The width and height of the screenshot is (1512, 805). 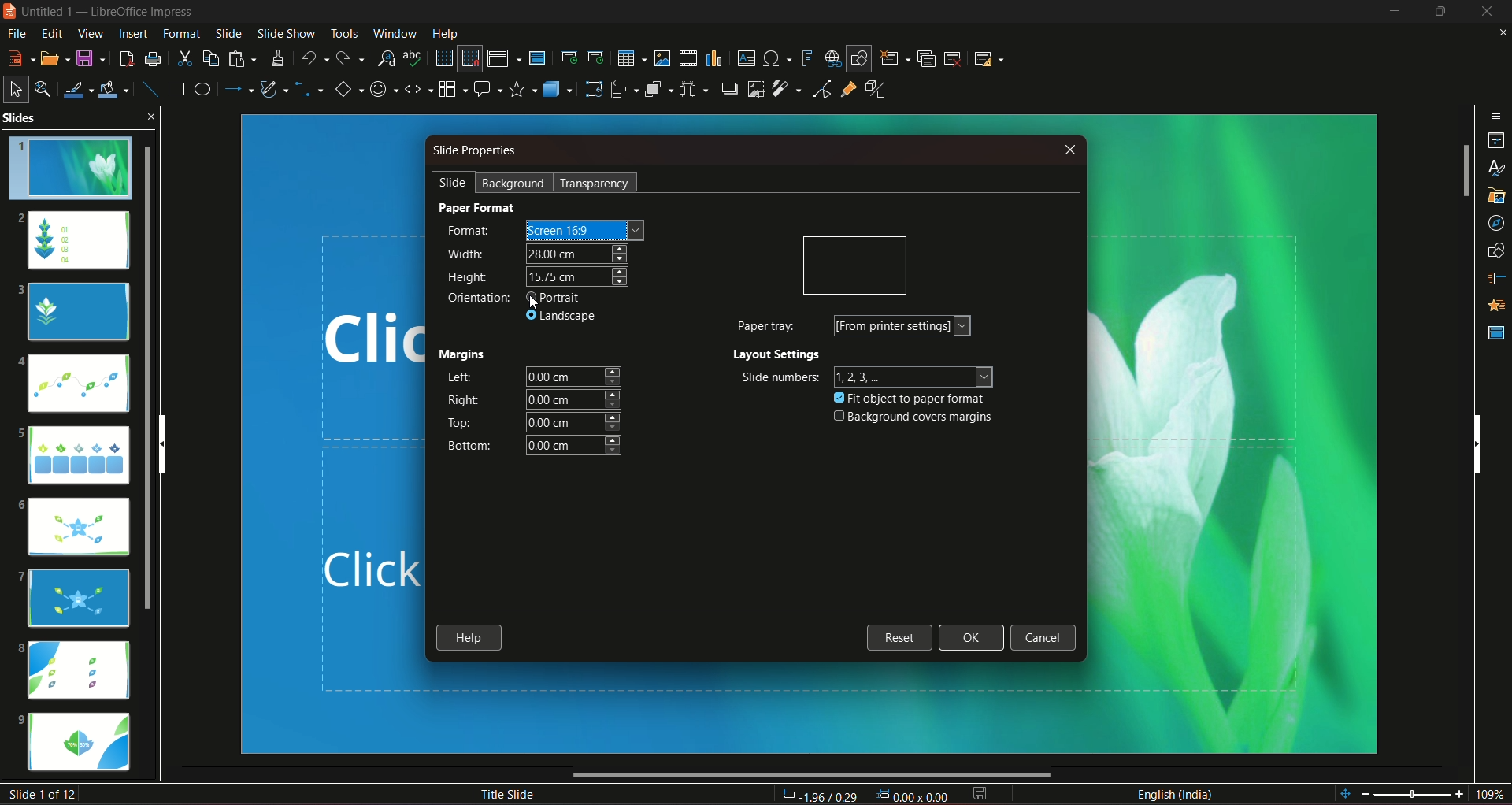 I want to click on close, so click(x=154, y=115).